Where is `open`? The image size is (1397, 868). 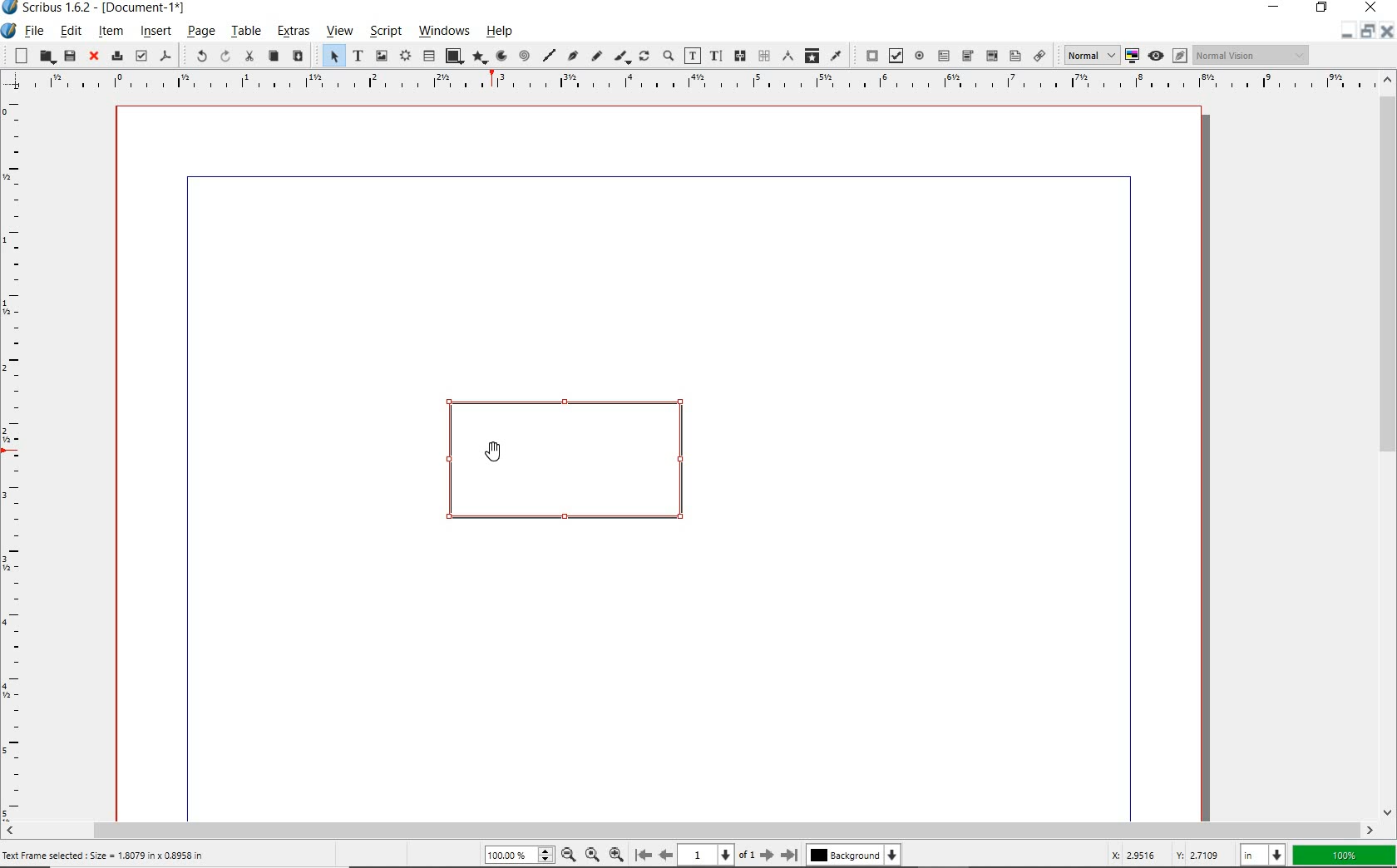
open is located at coordinates (45, 57).